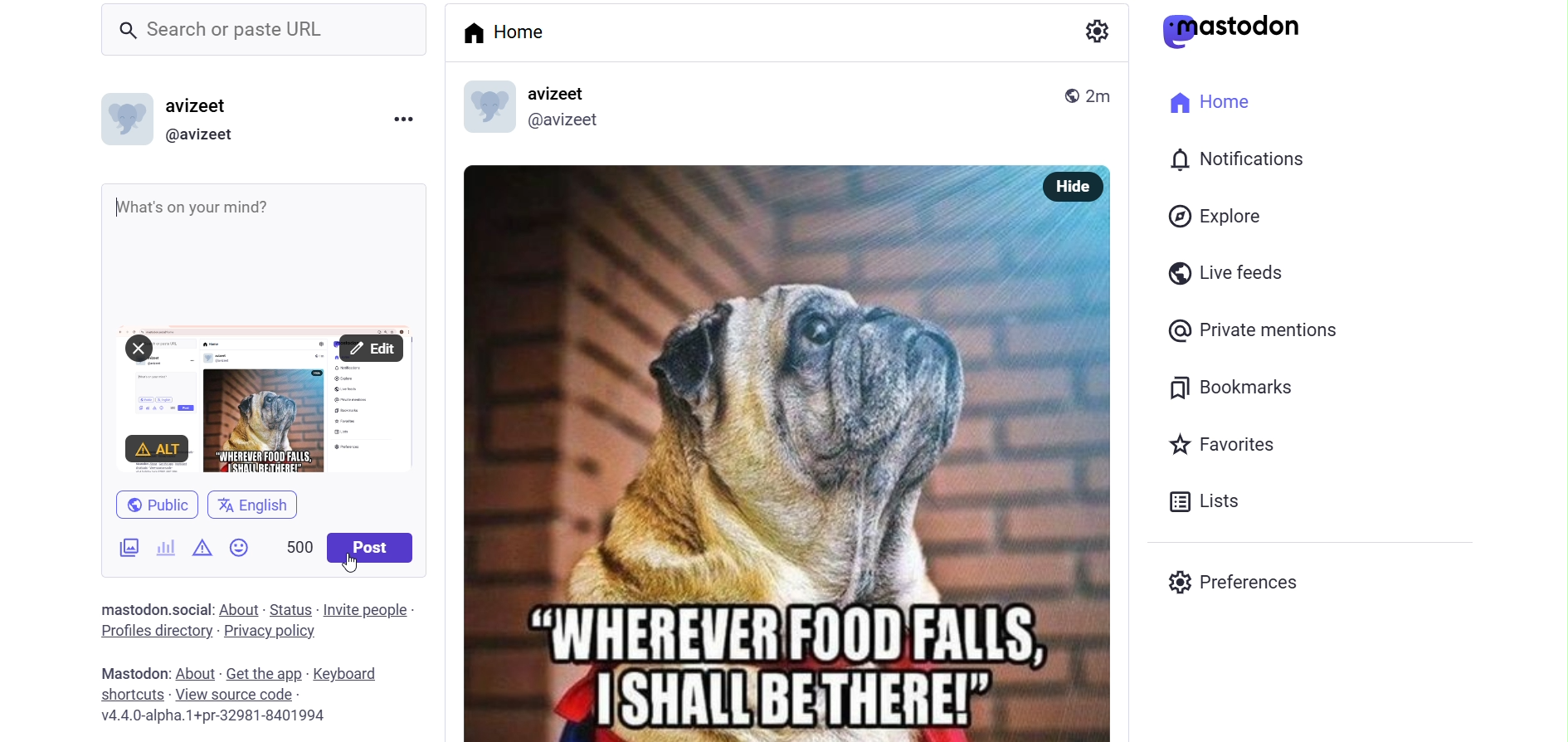 The width and height of the screenshot is (1568, 742). I want to click on content warning, so click(206, 549).